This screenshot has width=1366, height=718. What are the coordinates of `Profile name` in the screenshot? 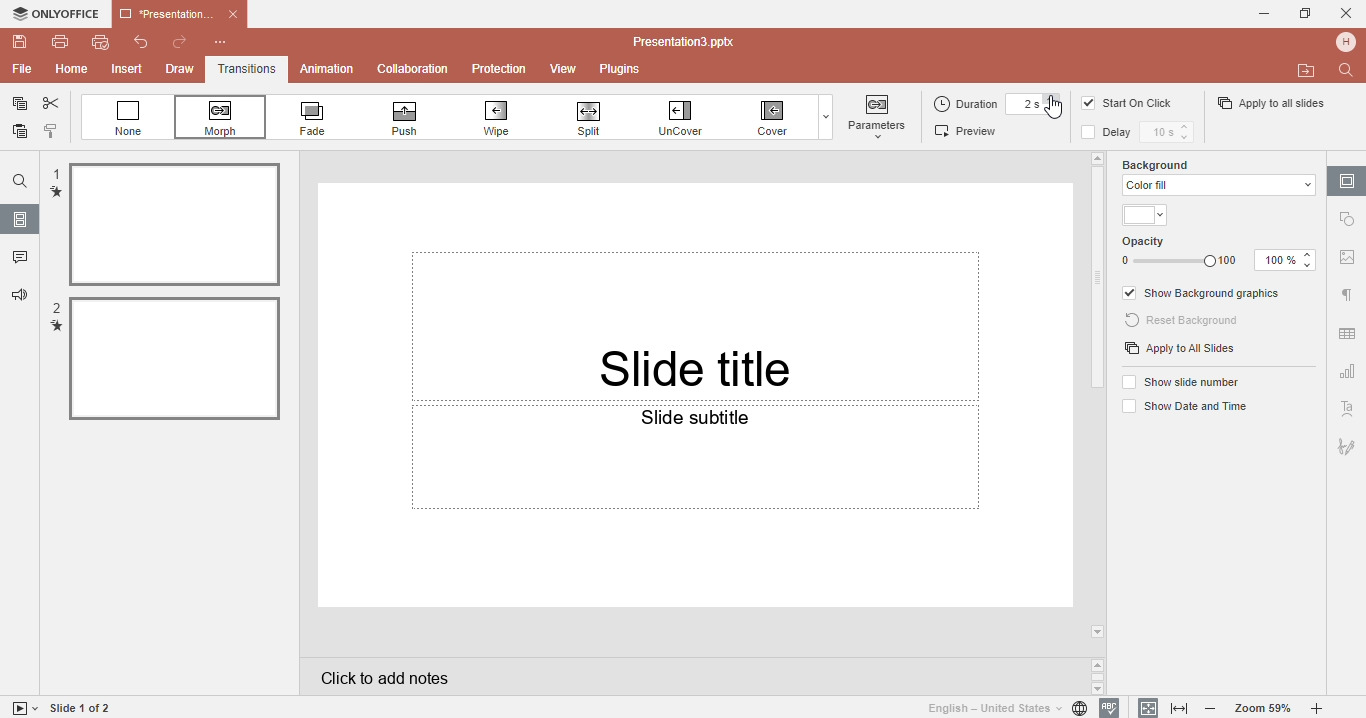 It's located at (1348, 41).